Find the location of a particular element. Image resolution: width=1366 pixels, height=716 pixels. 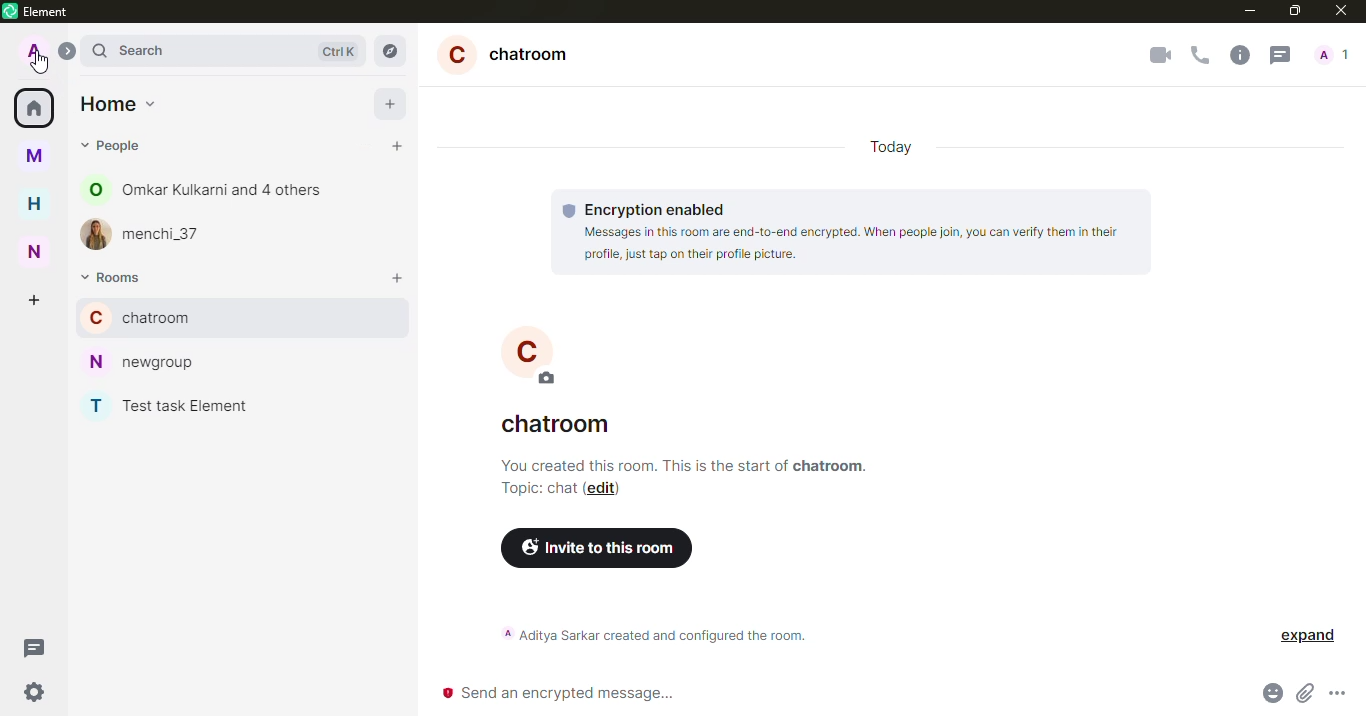

myspace is located at coordinates (33, 156).